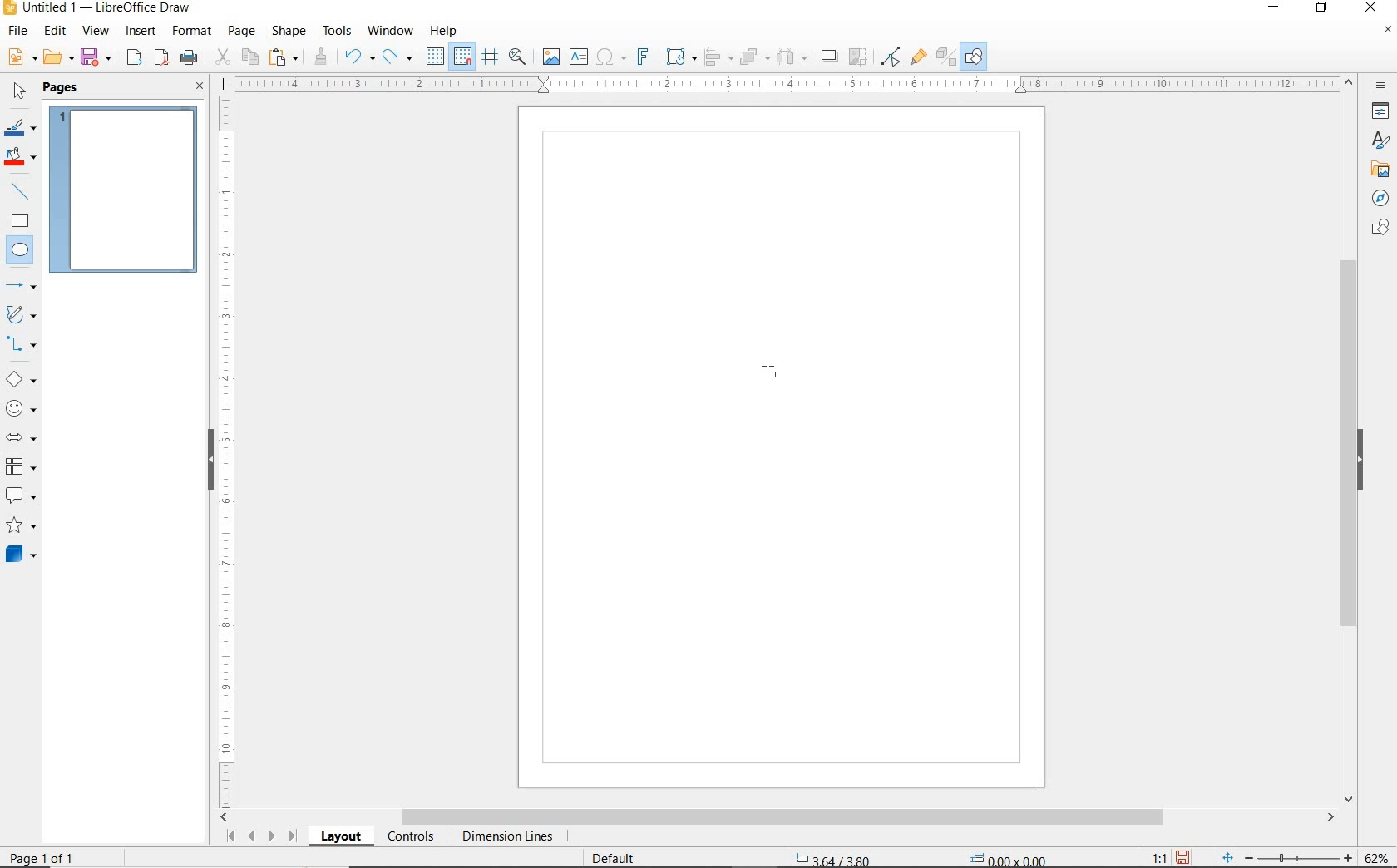 Image resolution: width=1397 pixels, height=868 pixels. I want to click on SIDEBAR SETTINGS, so click(1381, 86).